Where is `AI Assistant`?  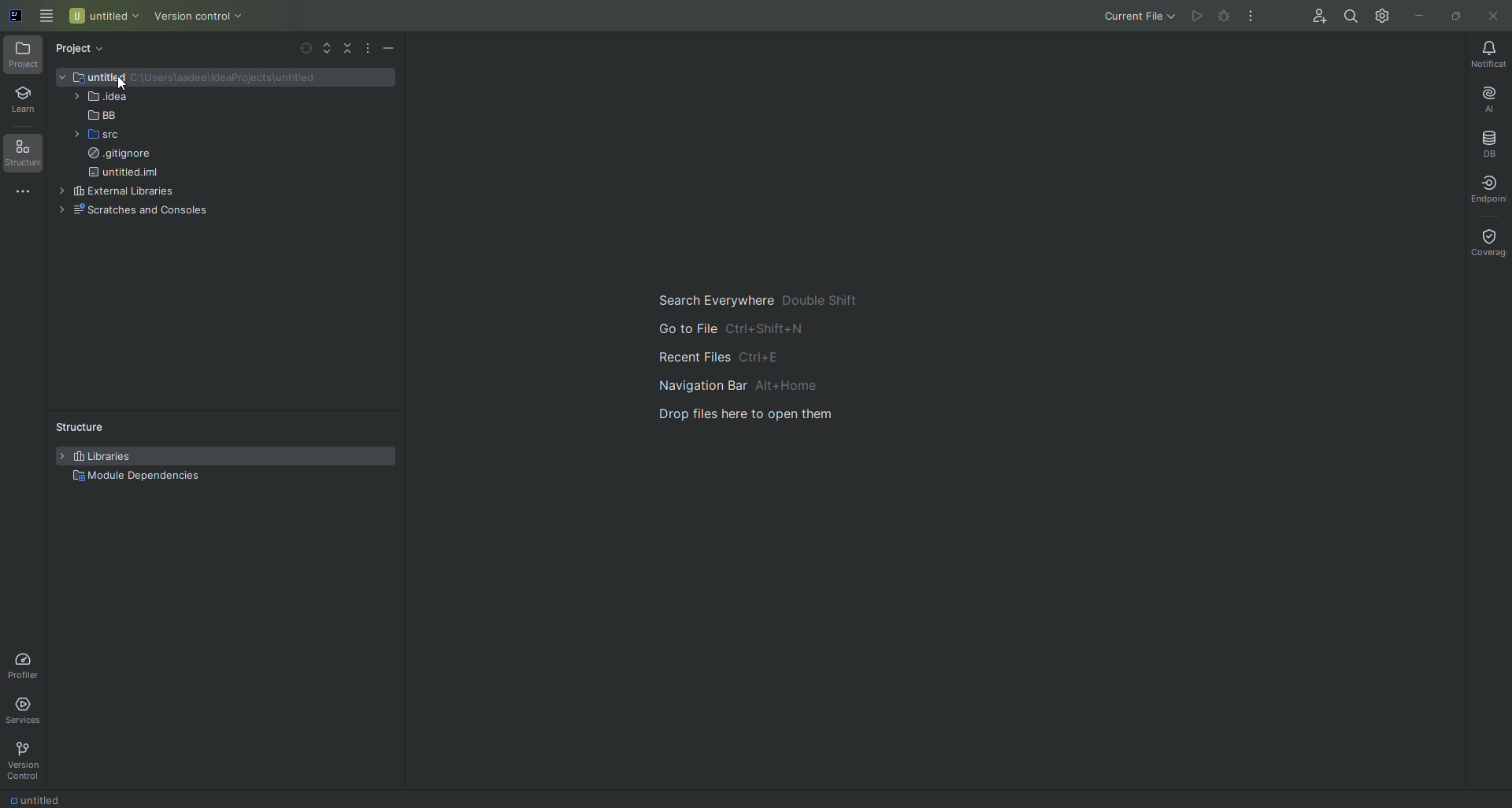
AI Assistant is located at coordinates (1478, 98).